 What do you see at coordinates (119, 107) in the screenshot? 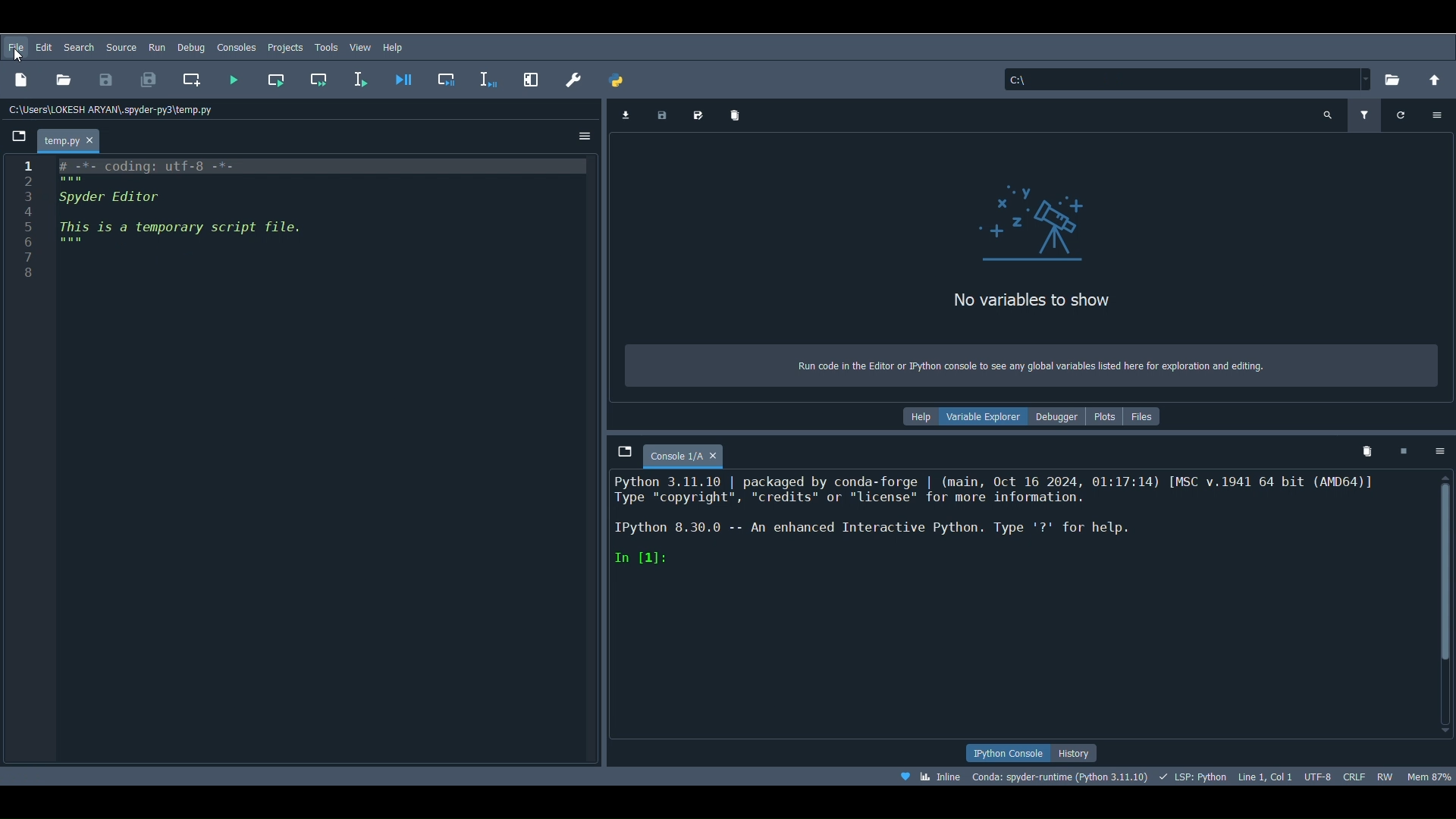
I see `File path` at bounding box center [119, 107].